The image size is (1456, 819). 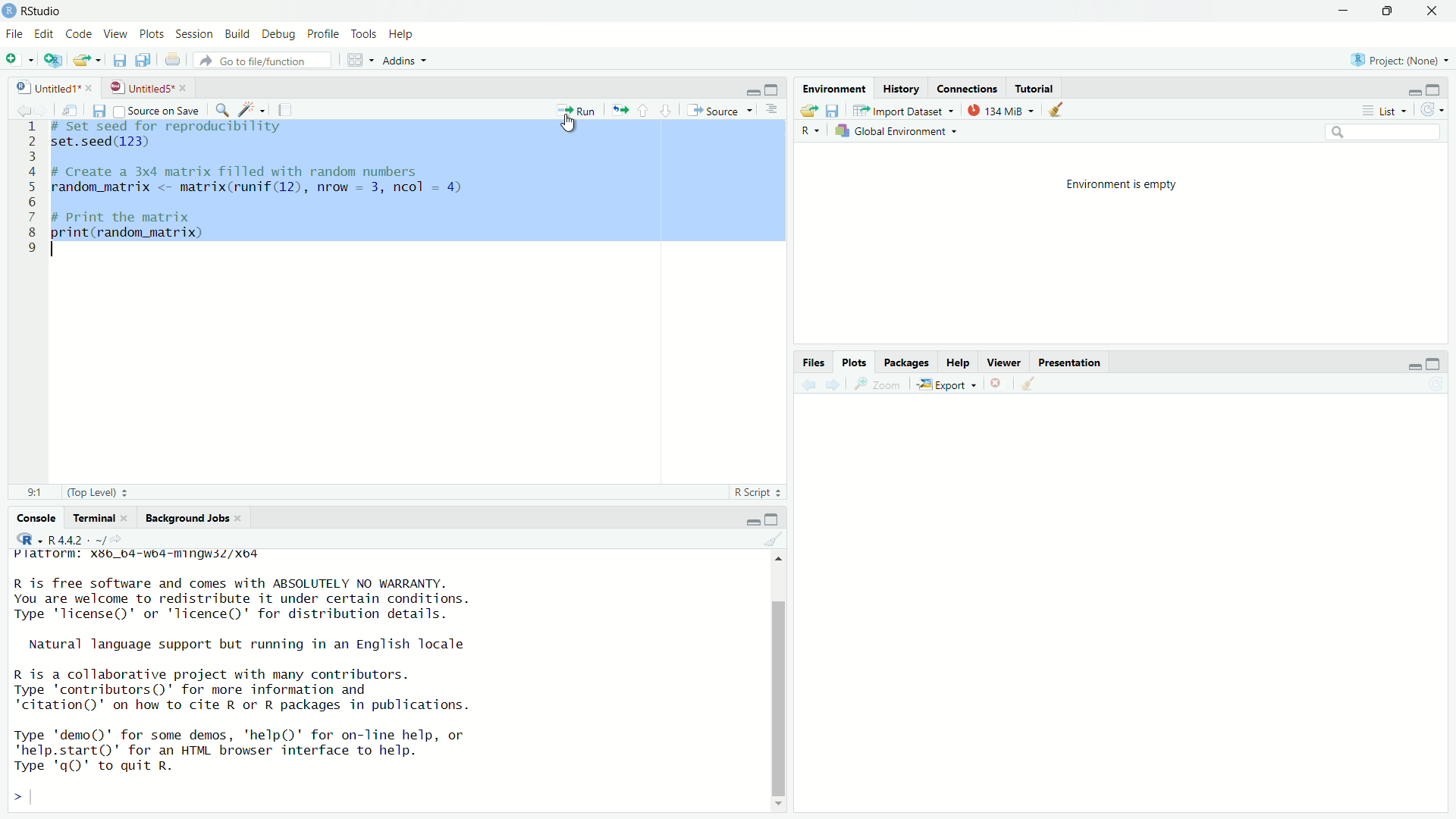 What do you see at coordinates (322, 32) in the screenshot?
I see `Profile` at bounding box center [322, 32].